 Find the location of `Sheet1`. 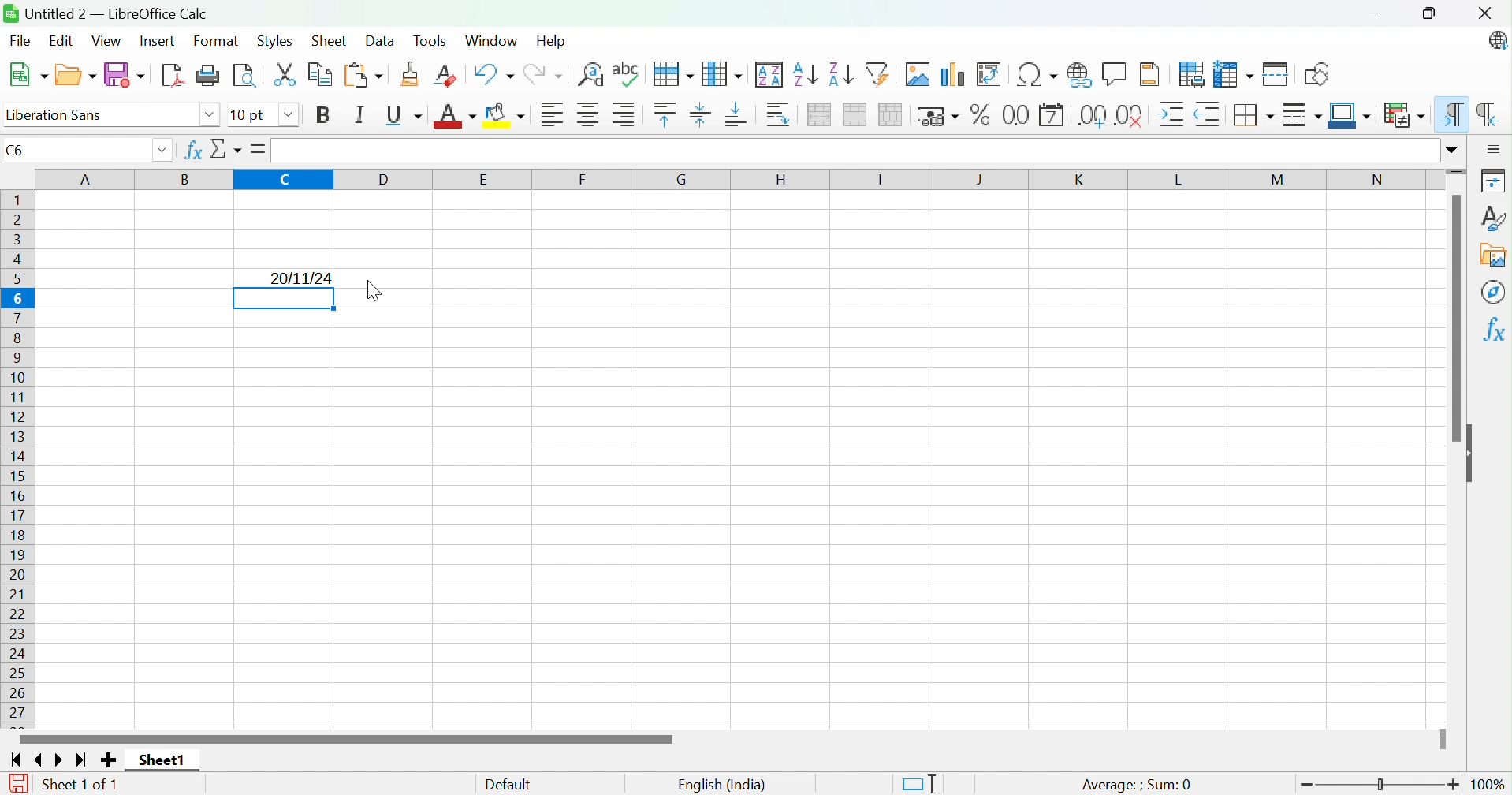

Sheet1 is located at coordinates (165, 759).